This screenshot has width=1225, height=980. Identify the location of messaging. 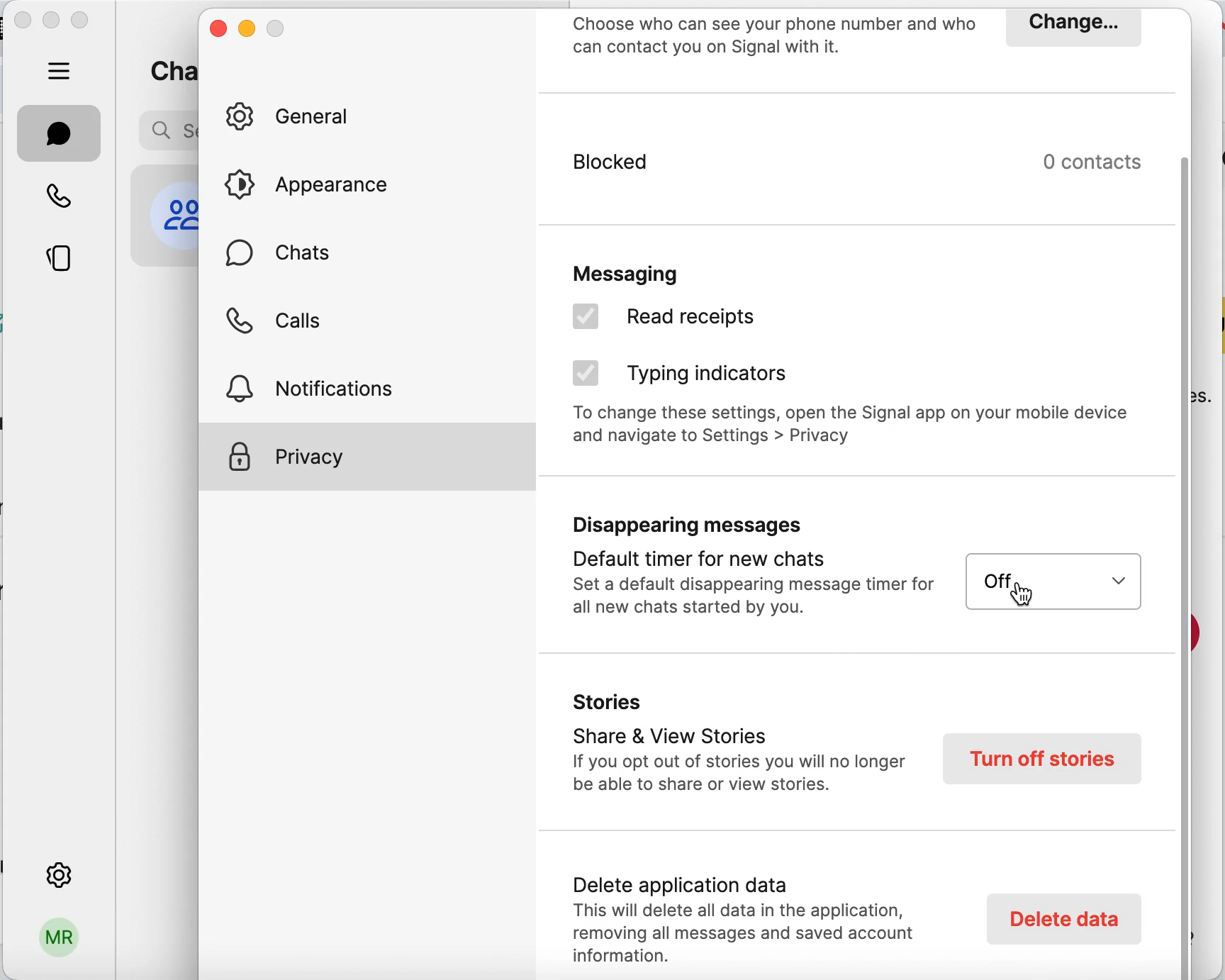
(670, 269).